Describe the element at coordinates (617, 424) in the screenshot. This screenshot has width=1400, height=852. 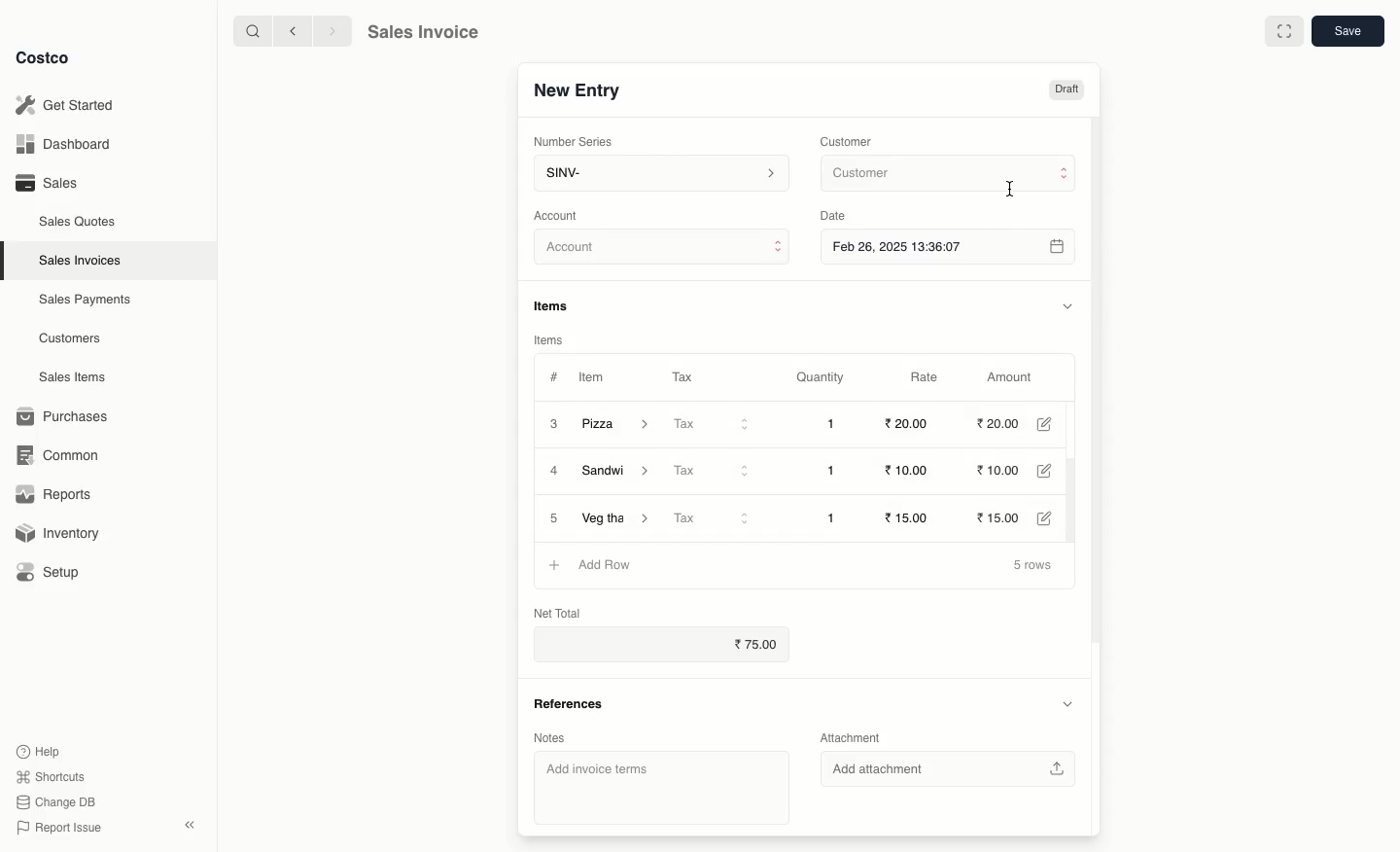
I see `Pizza` at that location.